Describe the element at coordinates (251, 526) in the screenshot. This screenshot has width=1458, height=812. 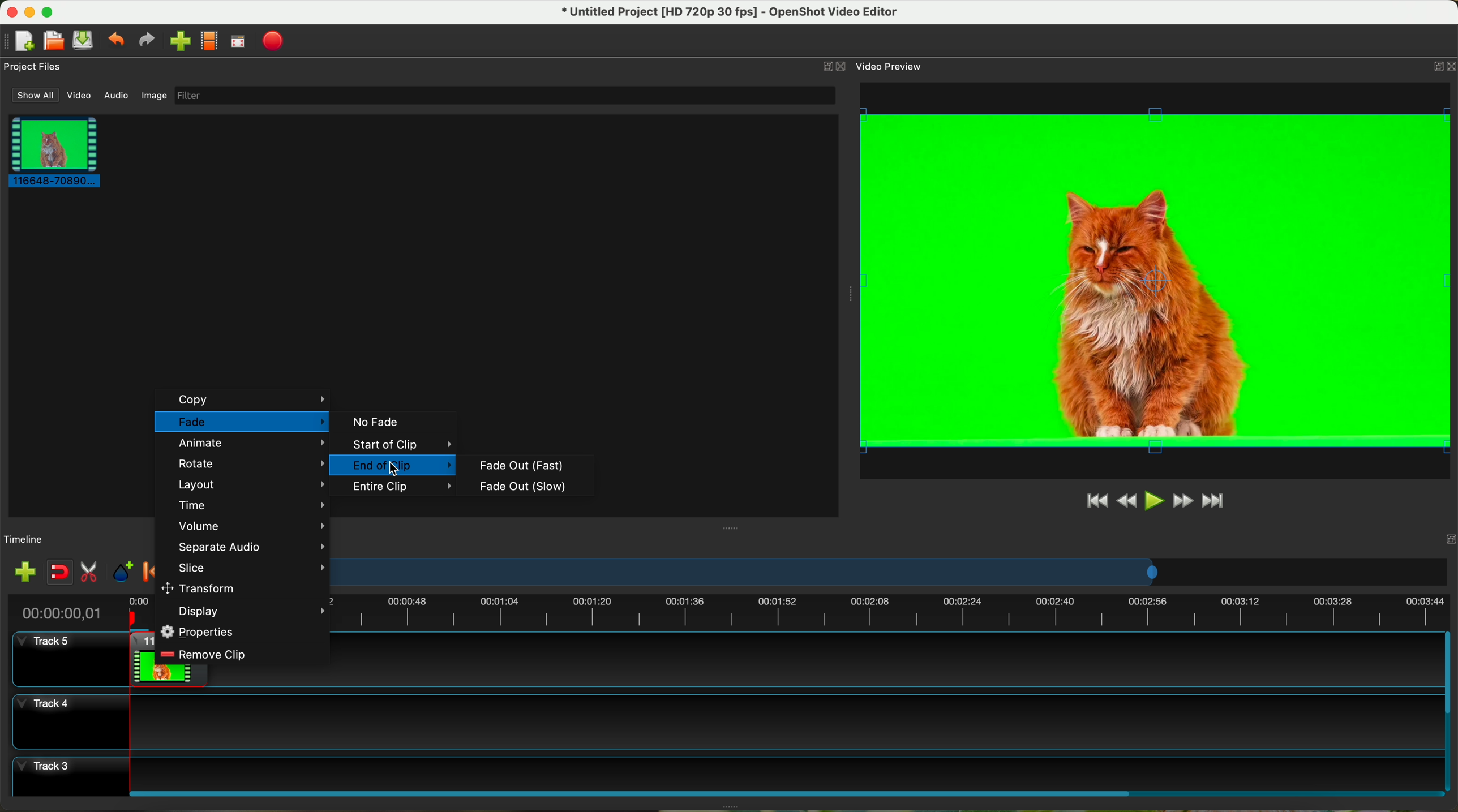
I see `volume` at that location.